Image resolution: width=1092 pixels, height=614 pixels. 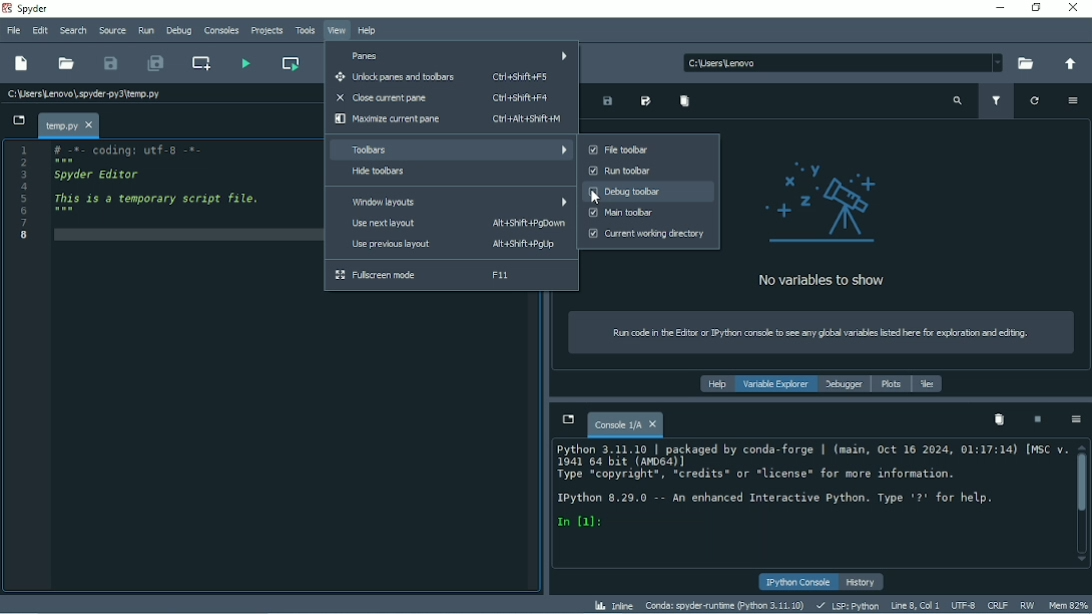 I want to click on CRLF, so click(x=997, y=605).